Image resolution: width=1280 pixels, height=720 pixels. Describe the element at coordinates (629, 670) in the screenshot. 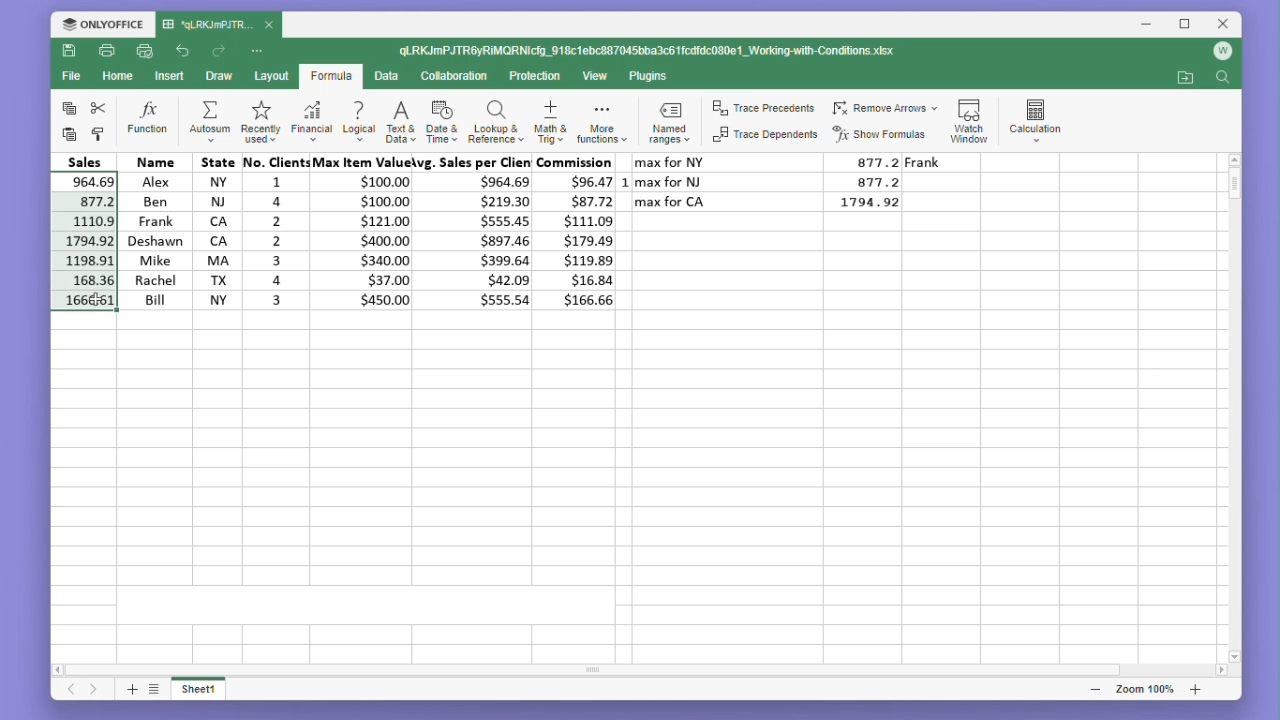

I see `Horizontal scroll bar` at that location.